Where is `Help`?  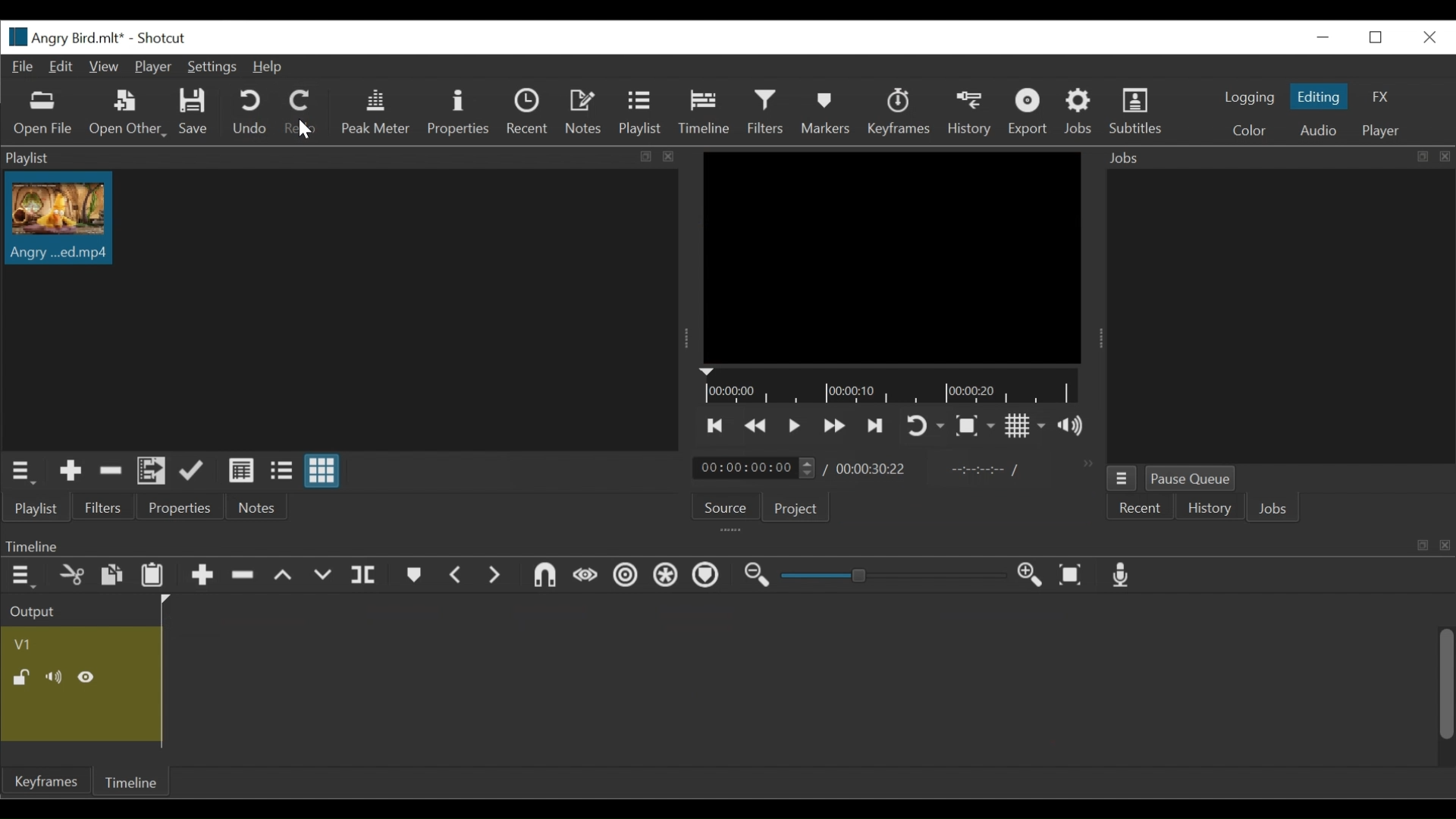 Help is located at coordinates (272, 67).